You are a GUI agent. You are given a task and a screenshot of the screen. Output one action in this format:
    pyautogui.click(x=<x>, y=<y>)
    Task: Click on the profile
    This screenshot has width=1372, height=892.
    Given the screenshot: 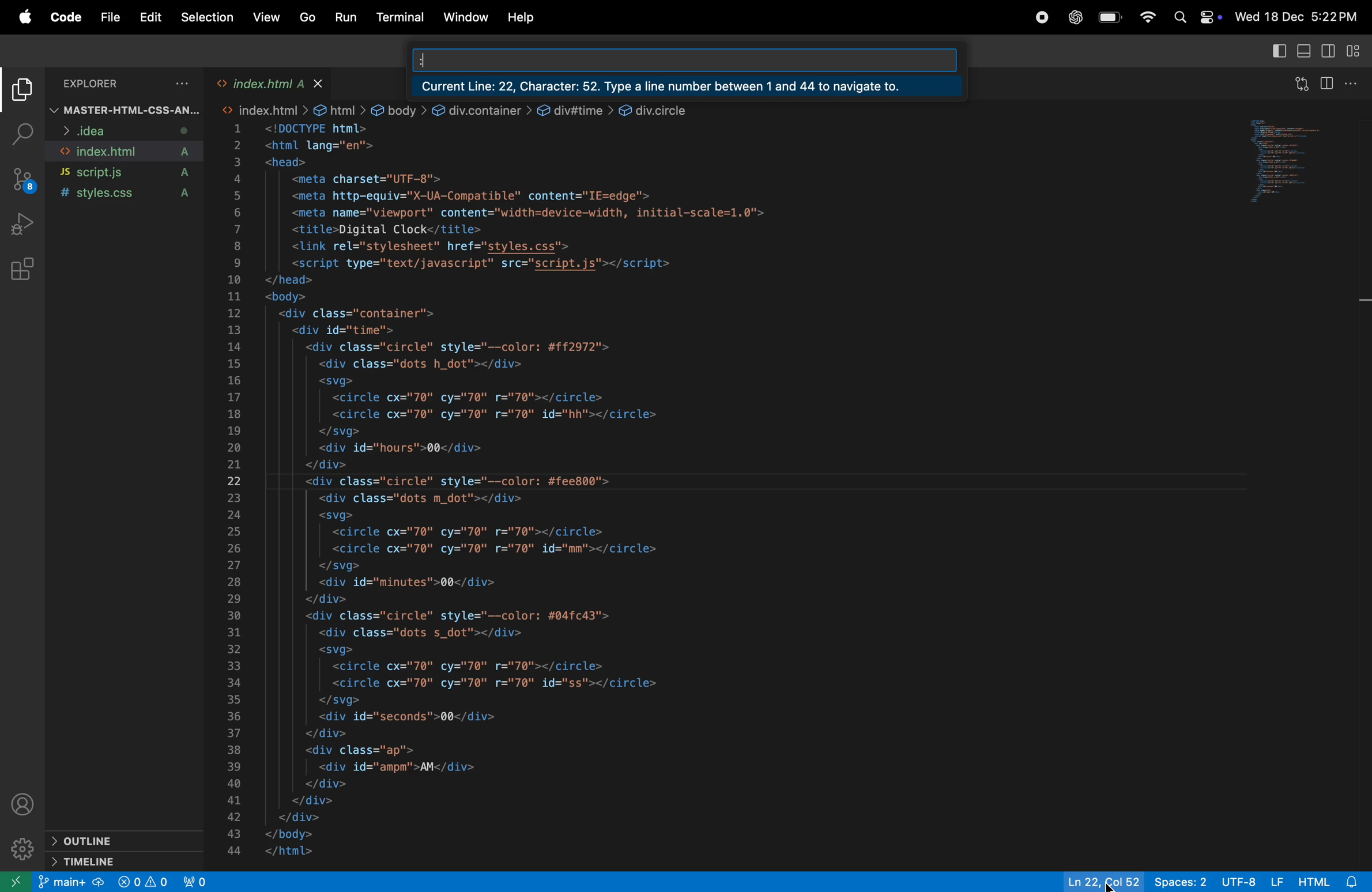 What is the action you would take?
    pyautogui.click(x=27, y=804)
    